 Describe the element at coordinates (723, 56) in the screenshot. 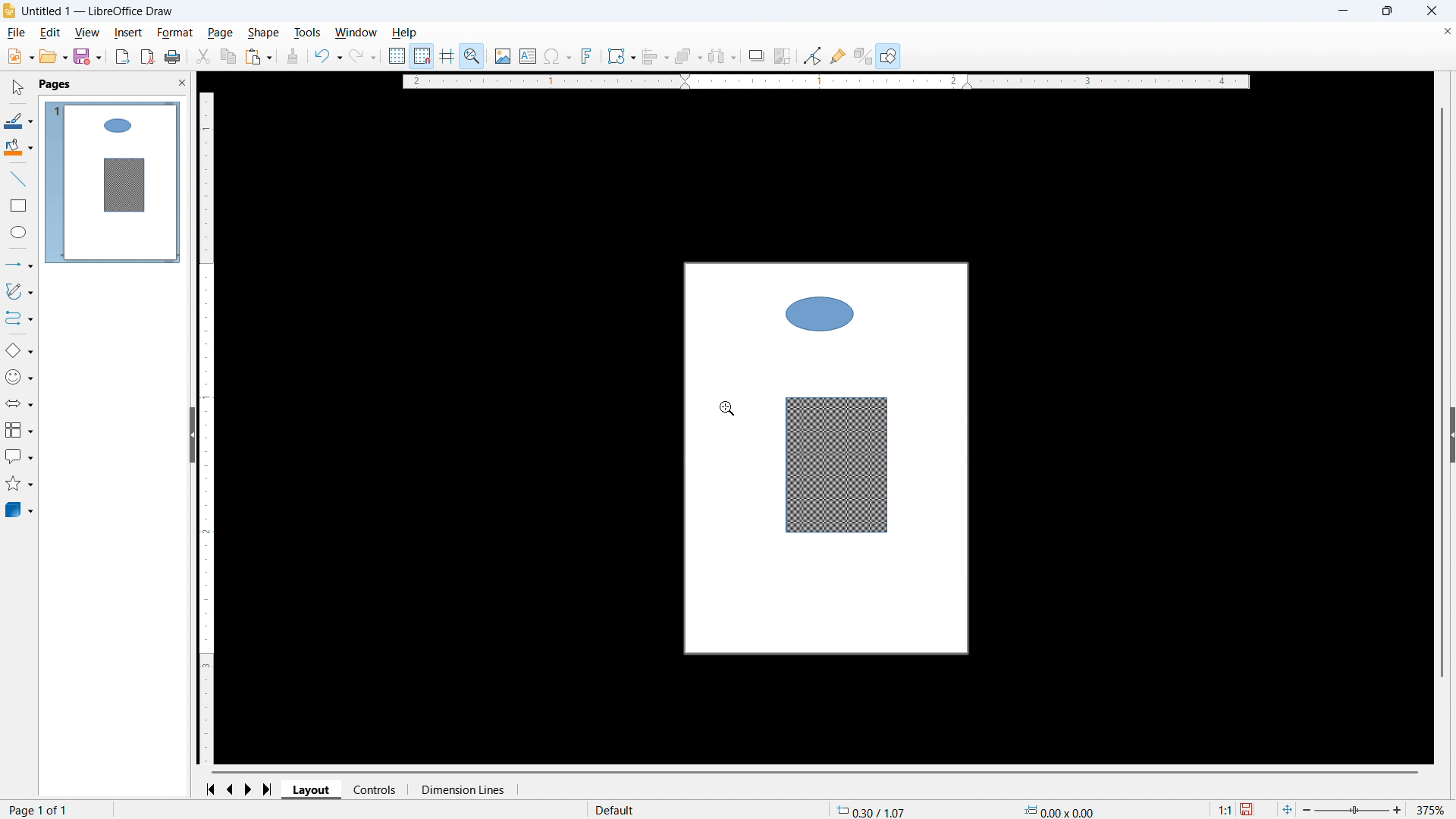

I see `Select at least three objects to distribute ` at that location.